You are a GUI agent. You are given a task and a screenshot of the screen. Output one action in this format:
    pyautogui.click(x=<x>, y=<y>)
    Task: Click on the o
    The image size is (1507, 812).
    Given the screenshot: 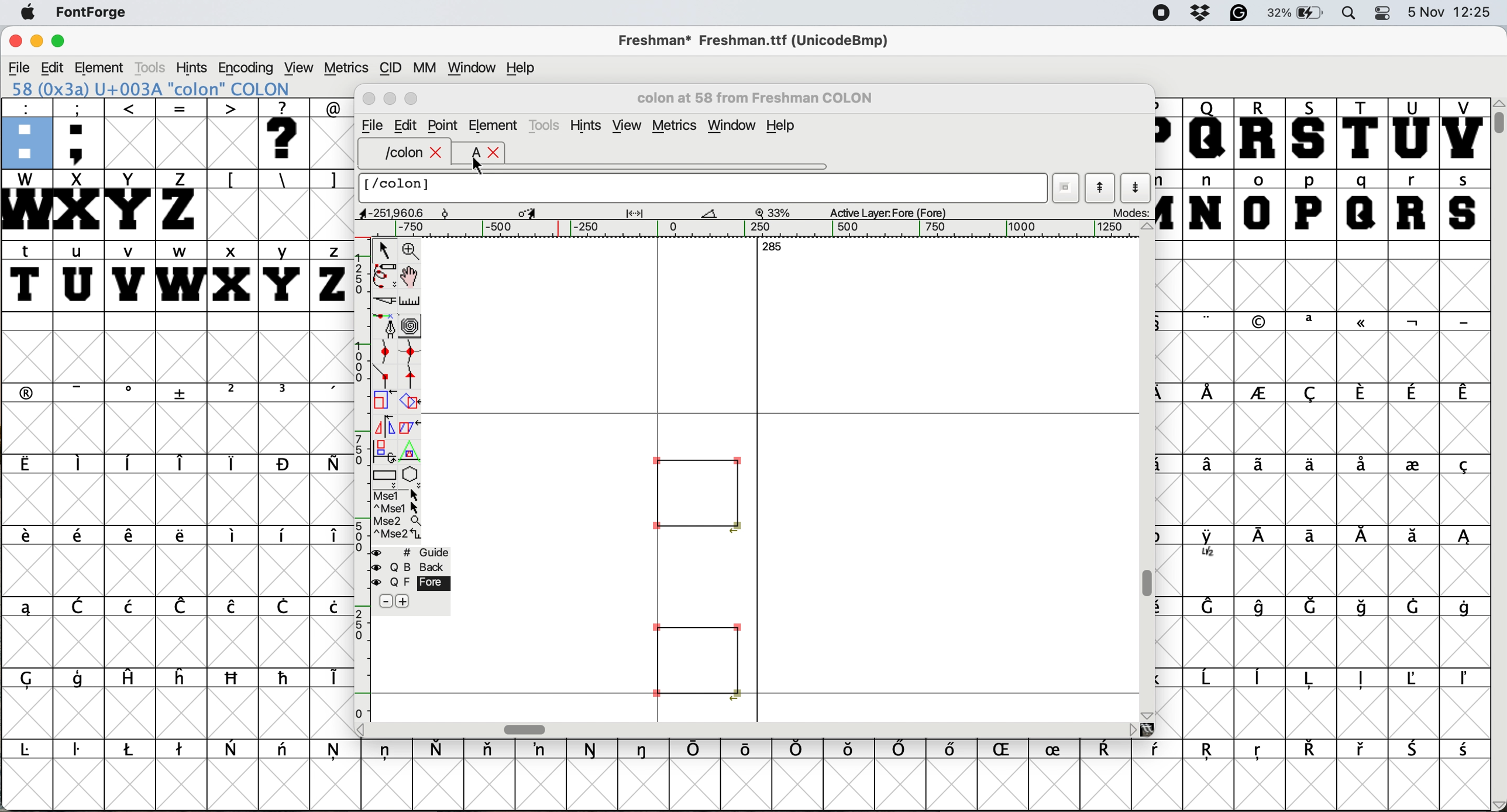 What is the action you would take?
    pyautogui.click(x=1260, y=204)
    